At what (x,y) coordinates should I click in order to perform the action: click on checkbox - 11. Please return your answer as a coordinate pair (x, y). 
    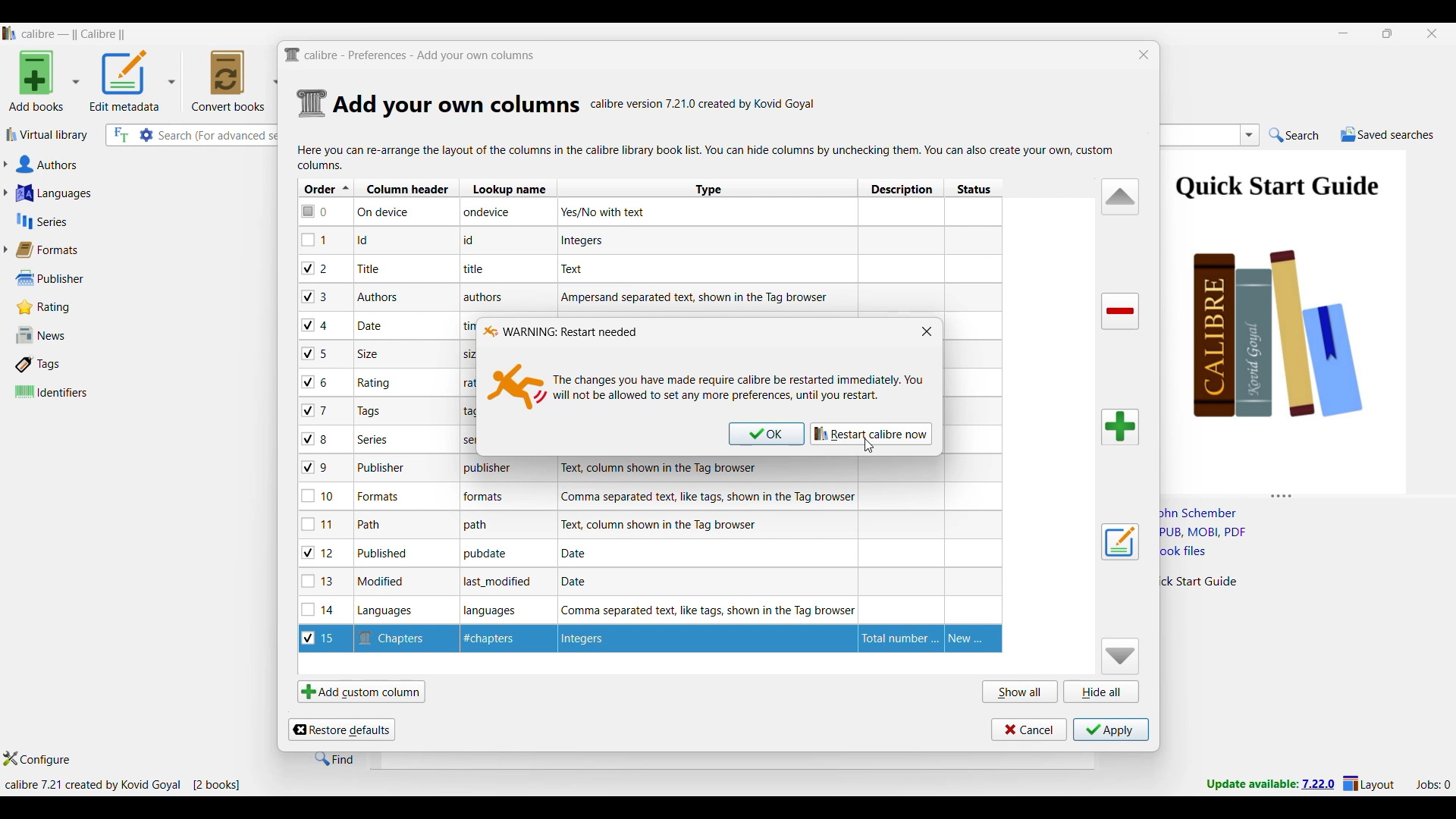
    Looking at the image, I should click on (320, 524).